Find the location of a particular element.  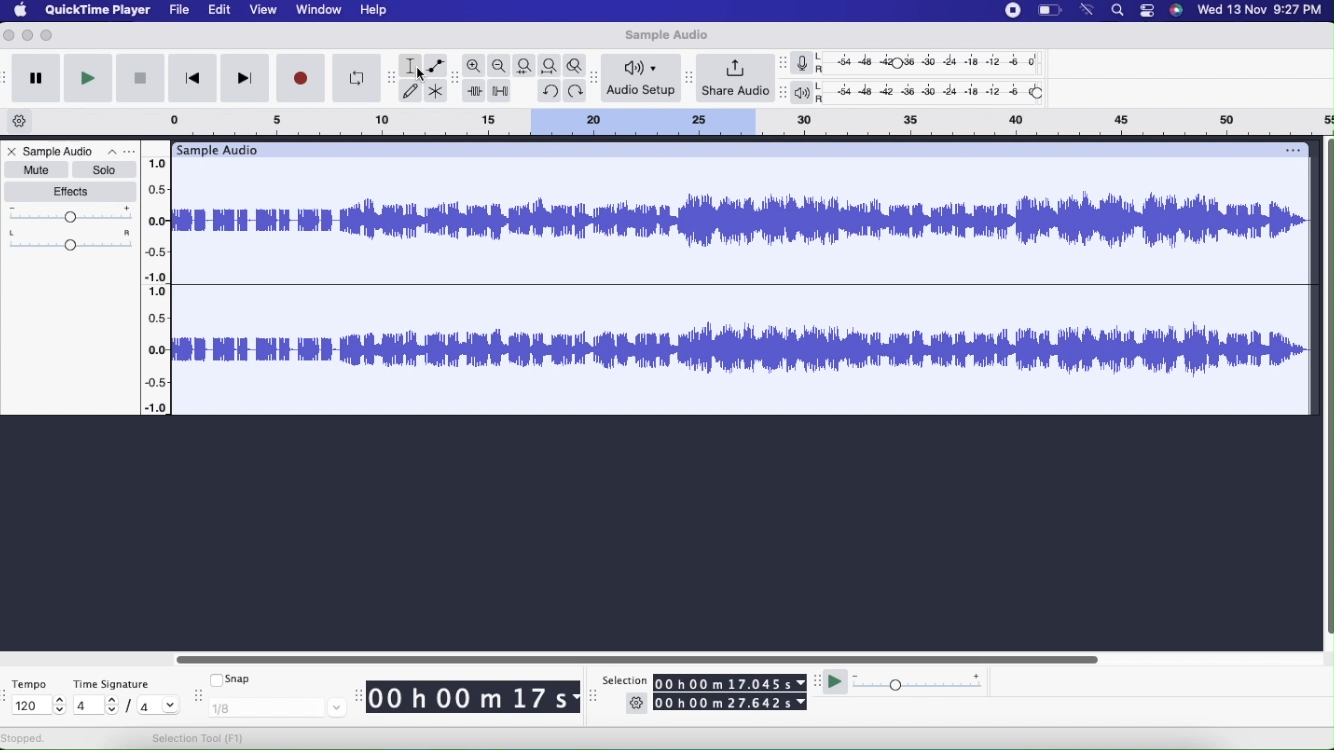

Help is located at coordinates (374, 12).